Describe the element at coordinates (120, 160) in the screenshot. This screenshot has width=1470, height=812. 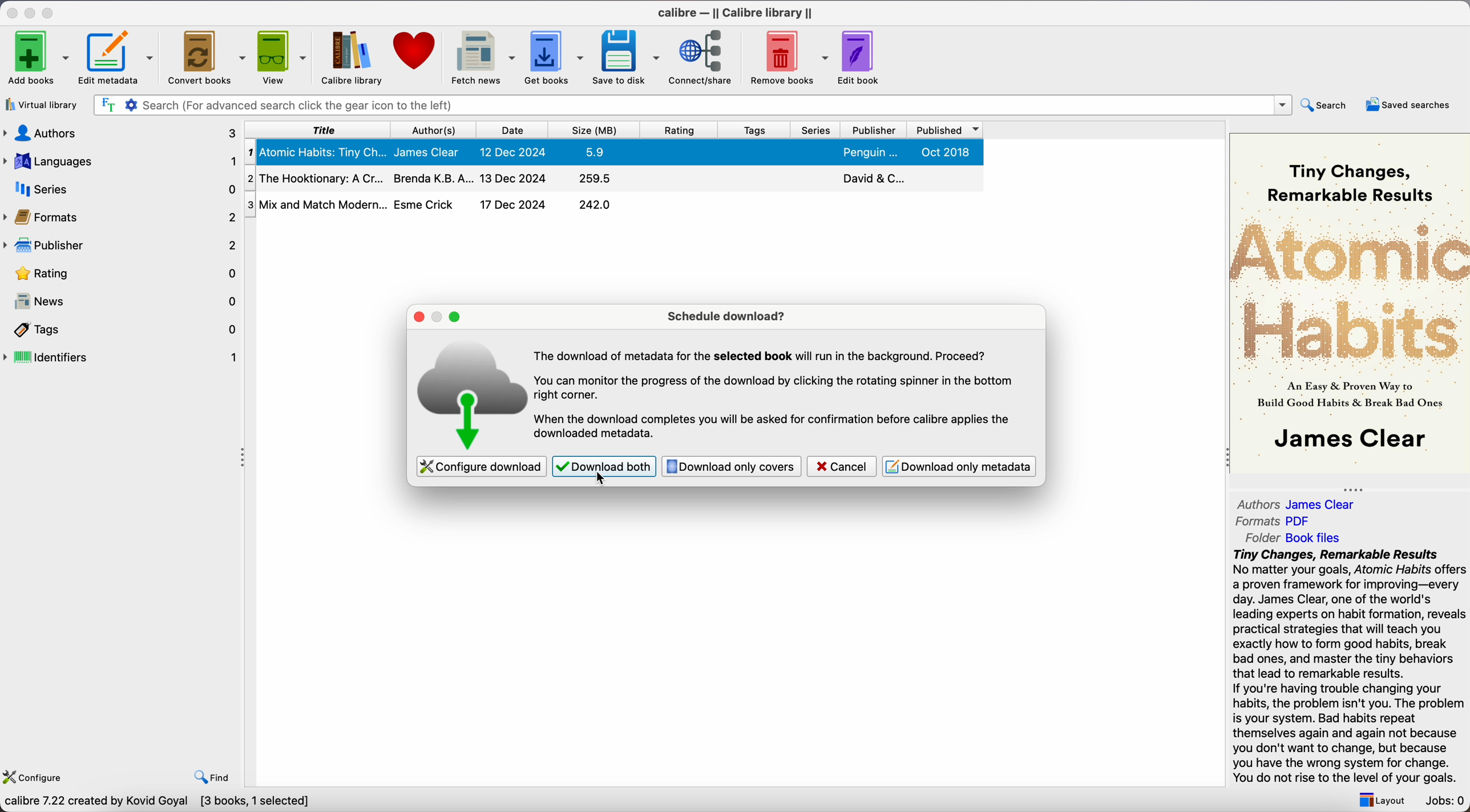
I see `languages` at that location.